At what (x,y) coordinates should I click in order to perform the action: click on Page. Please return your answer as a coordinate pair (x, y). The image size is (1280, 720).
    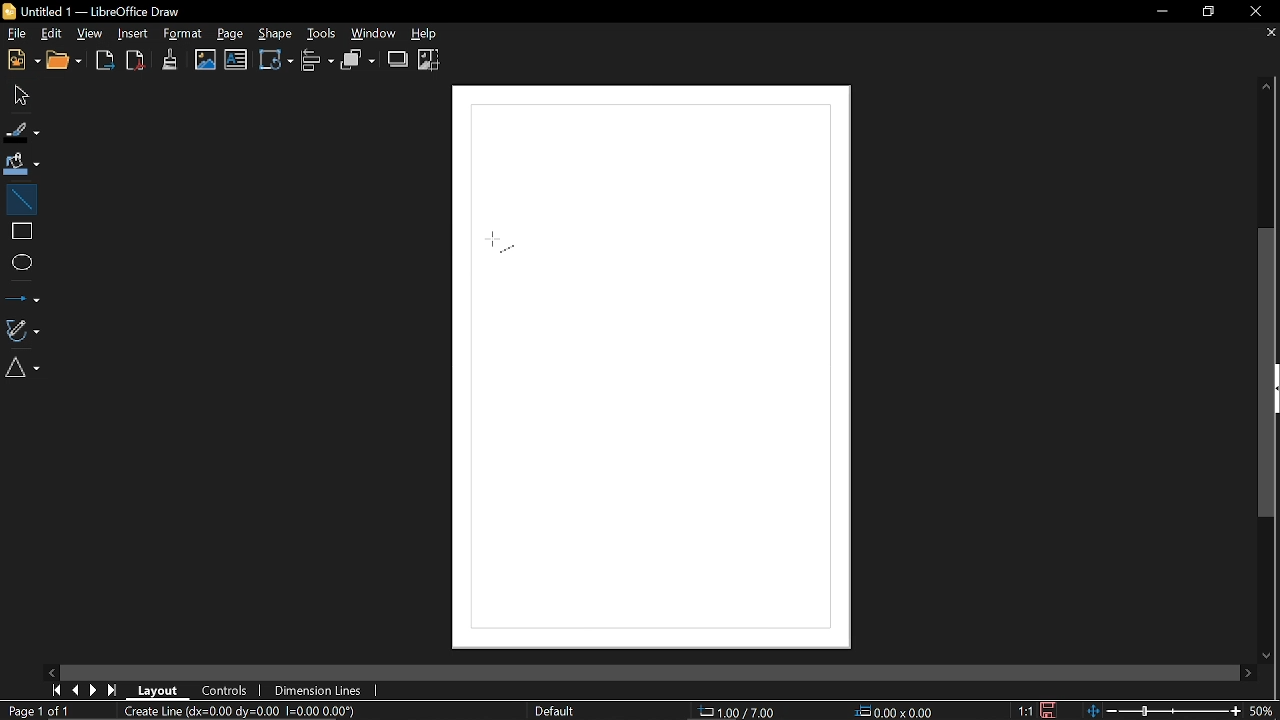
    Looking at the image, I should click on (232, 36).